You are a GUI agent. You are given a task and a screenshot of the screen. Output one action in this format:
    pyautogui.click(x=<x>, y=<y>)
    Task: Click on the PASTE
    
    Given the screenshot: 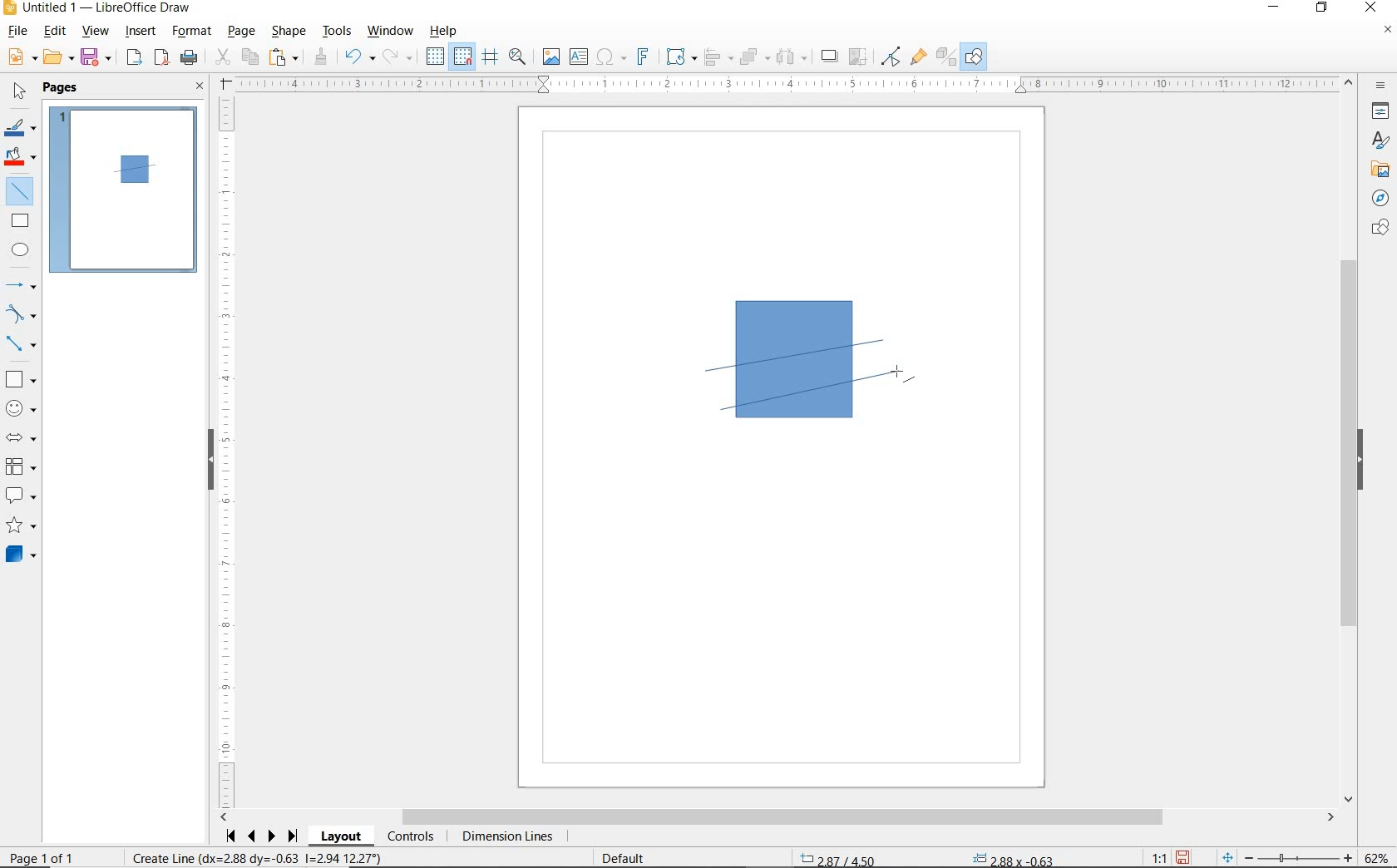 What is the action you would take?
    pyautogui.click(x=284, y=57)
    